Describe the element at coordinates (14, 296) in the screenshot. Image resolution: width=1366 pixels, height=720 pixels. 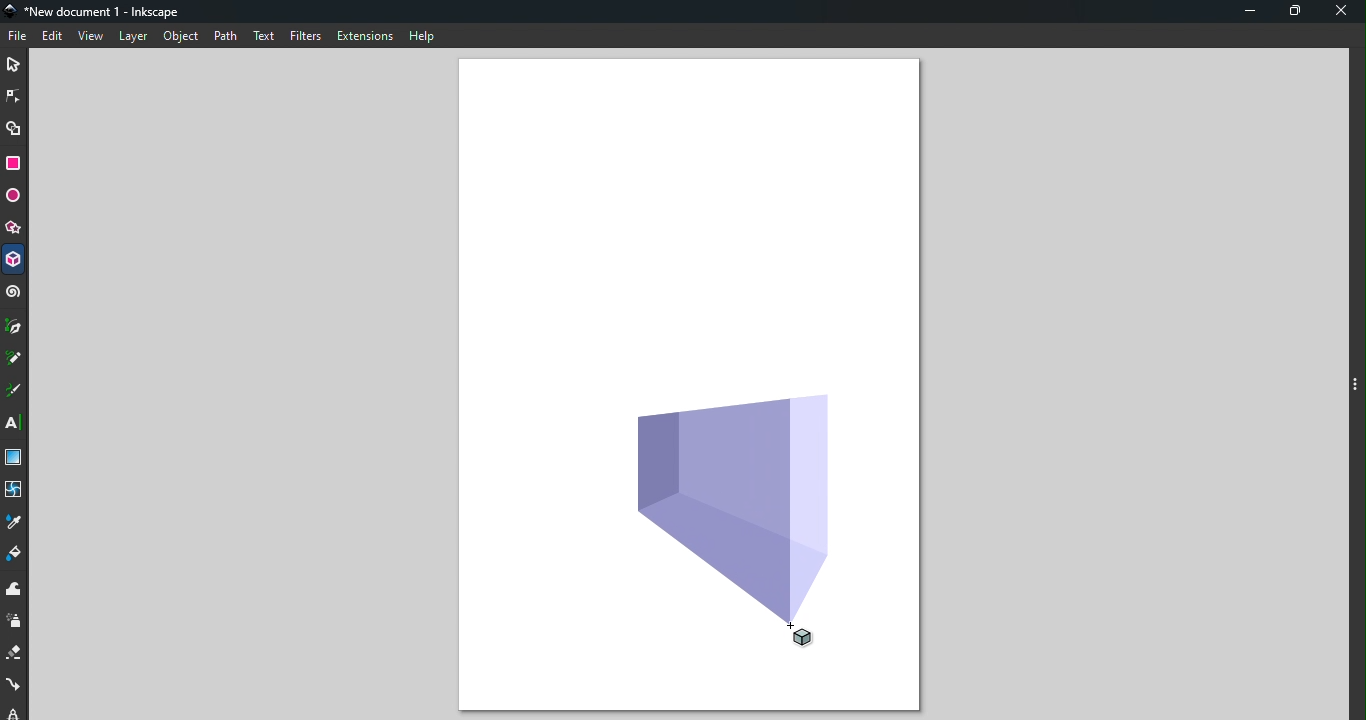
I see `Spiral tool` at that location.